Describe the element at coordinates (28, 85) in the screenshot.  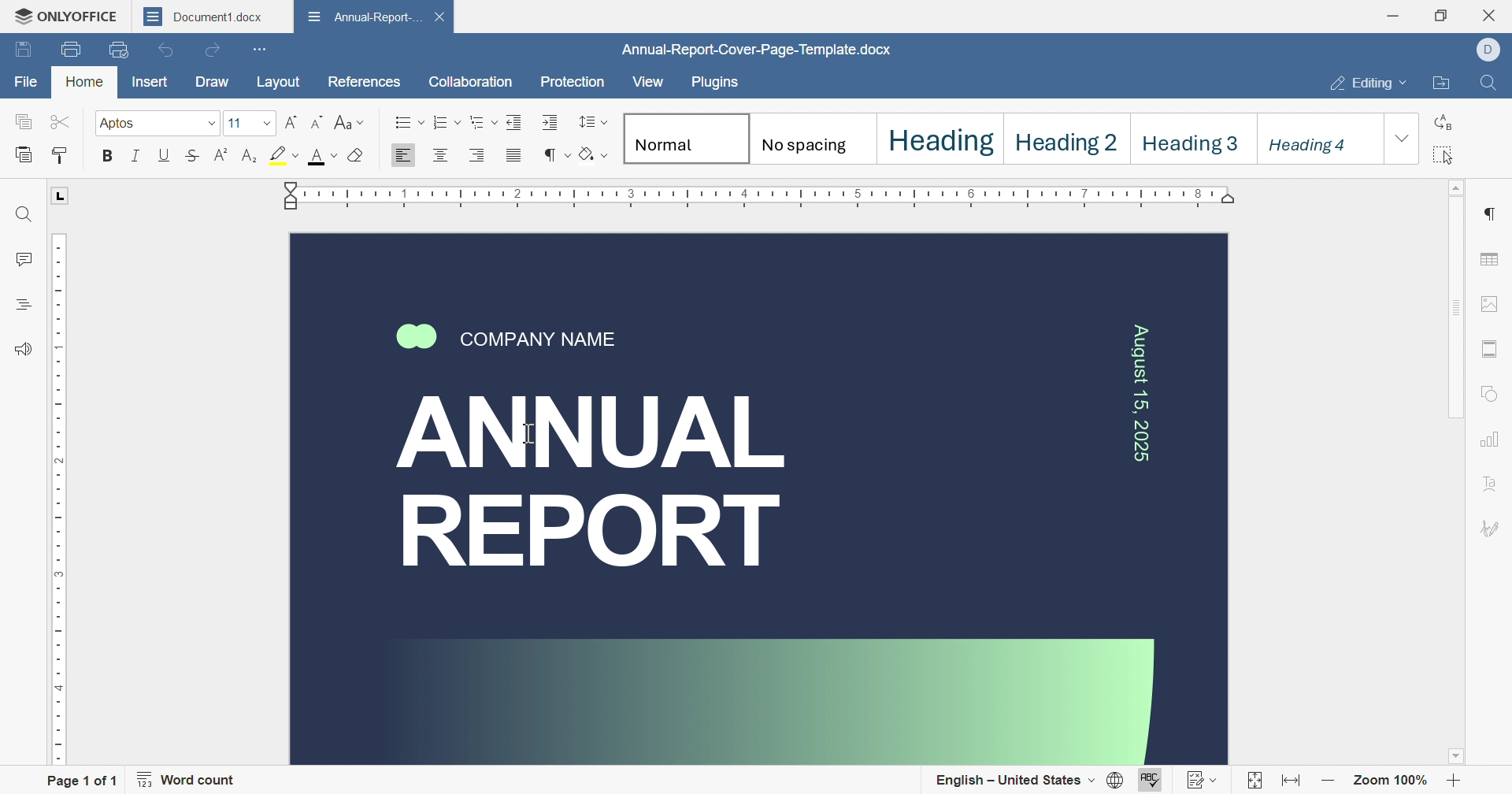
I see `file` at that location.